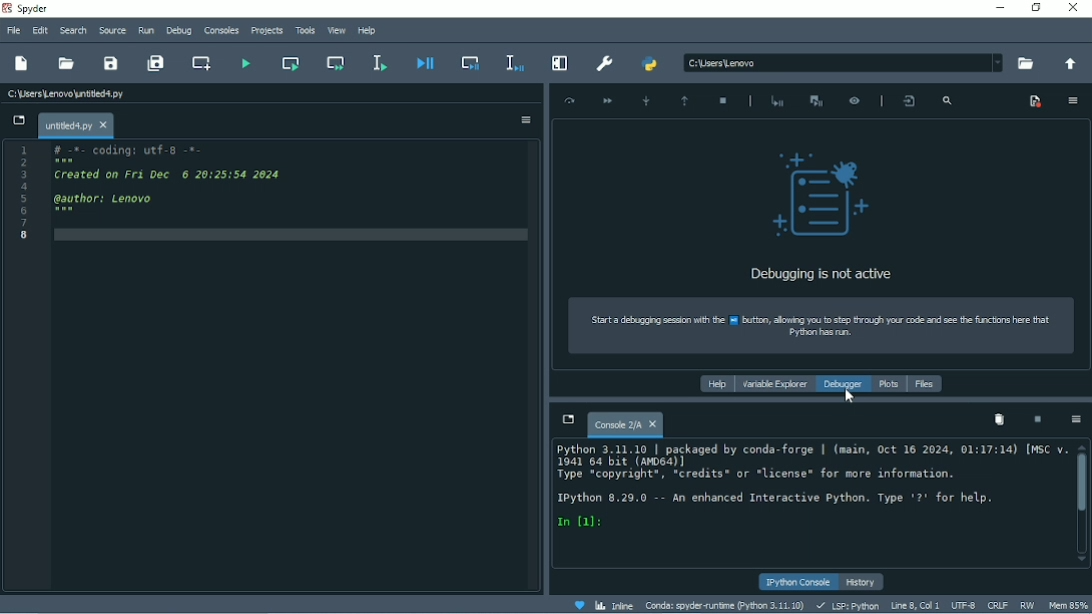 The image size is (1092, 614). What do you see at coordinates (379, 63) in the screenshot?
I see `Run selection or current line` at bounding box center [379, 63].